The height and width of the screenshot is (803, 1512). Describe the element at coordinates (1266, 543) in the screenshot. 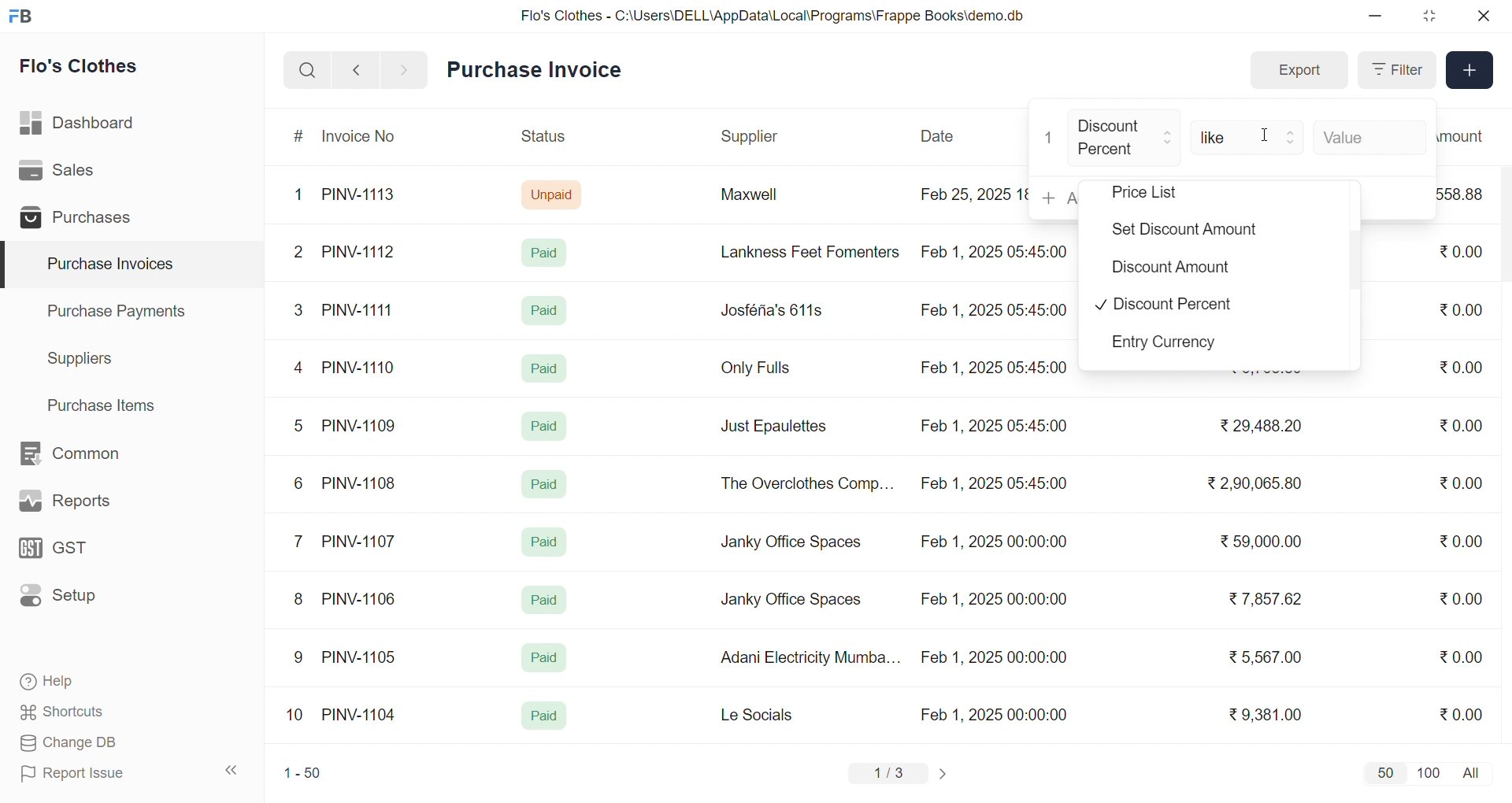

I see `₹ 59,000.00` at that location.